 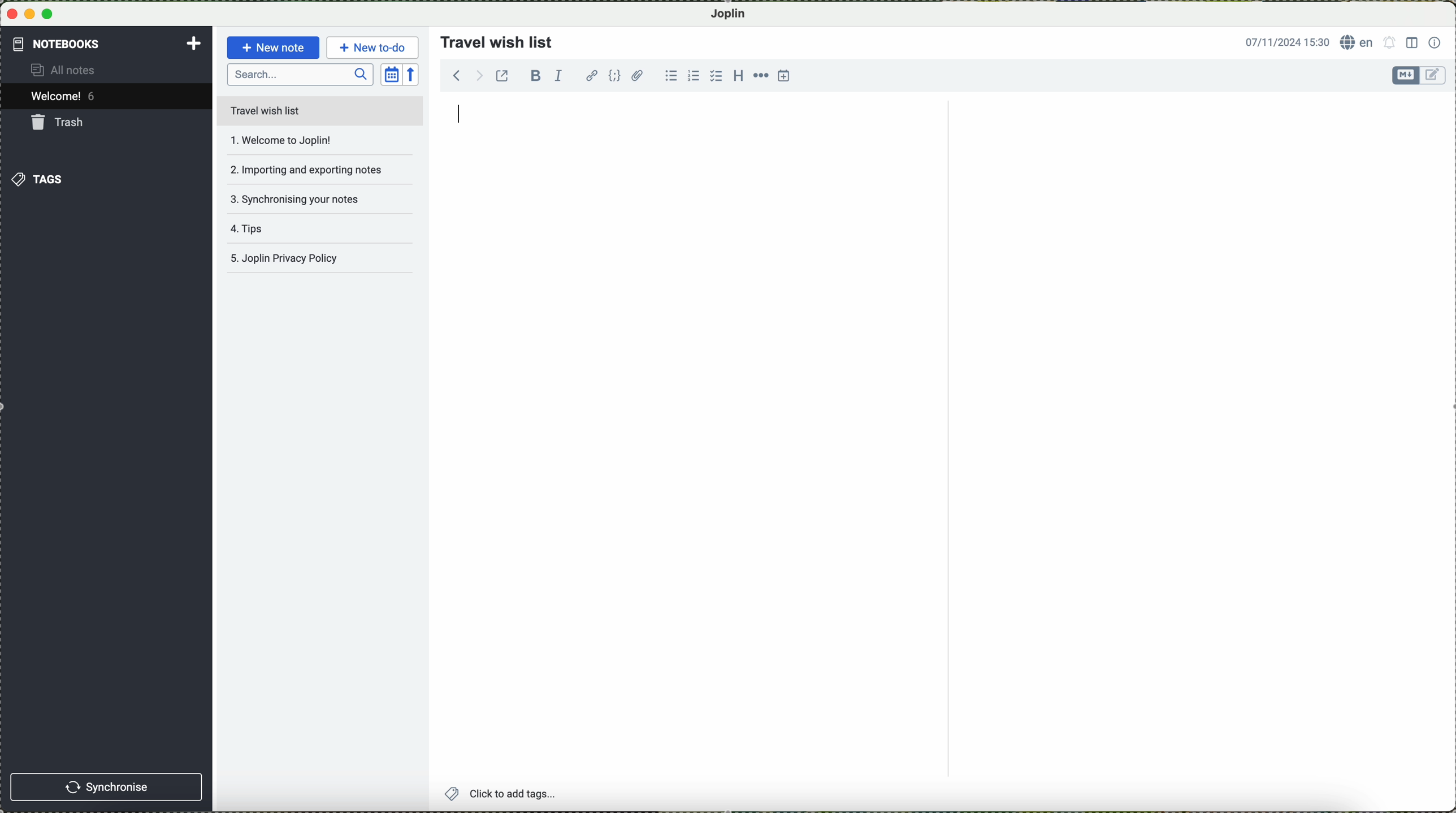 I want to click on maximize, so click(x=50, y=14).